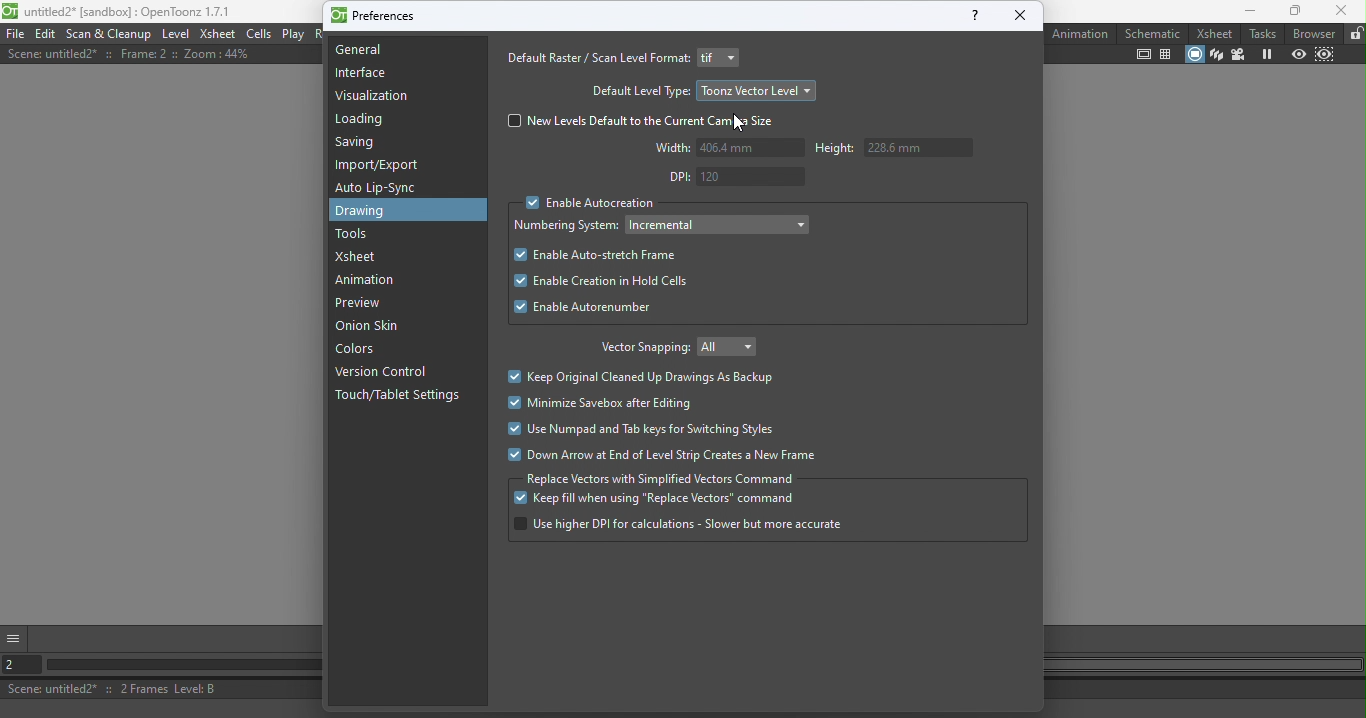 This screenshot has width=1366, height=718. I want to click on File, so click(15, 33).